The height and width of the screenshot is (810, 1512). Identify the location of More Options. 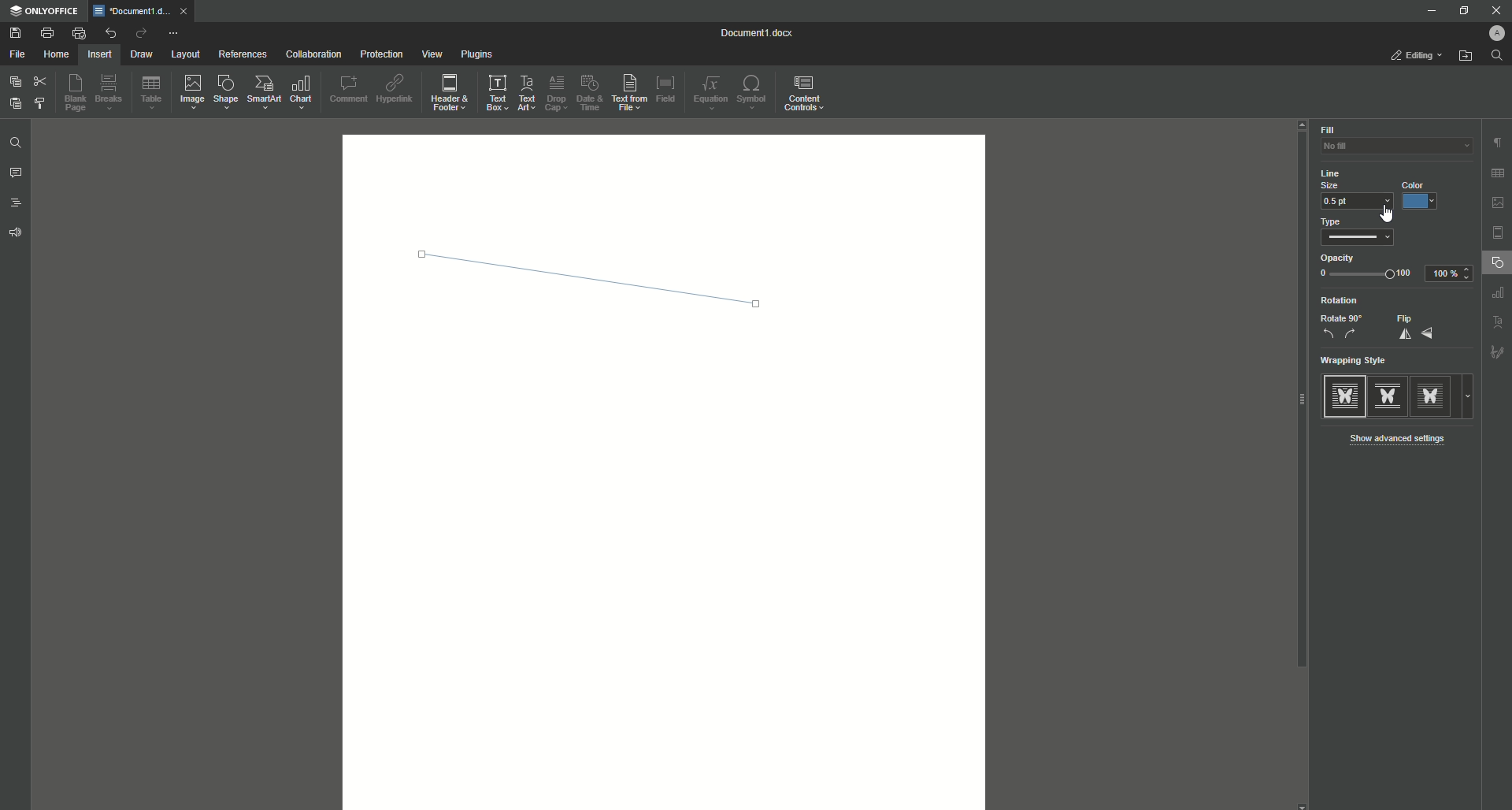
(175, 34).